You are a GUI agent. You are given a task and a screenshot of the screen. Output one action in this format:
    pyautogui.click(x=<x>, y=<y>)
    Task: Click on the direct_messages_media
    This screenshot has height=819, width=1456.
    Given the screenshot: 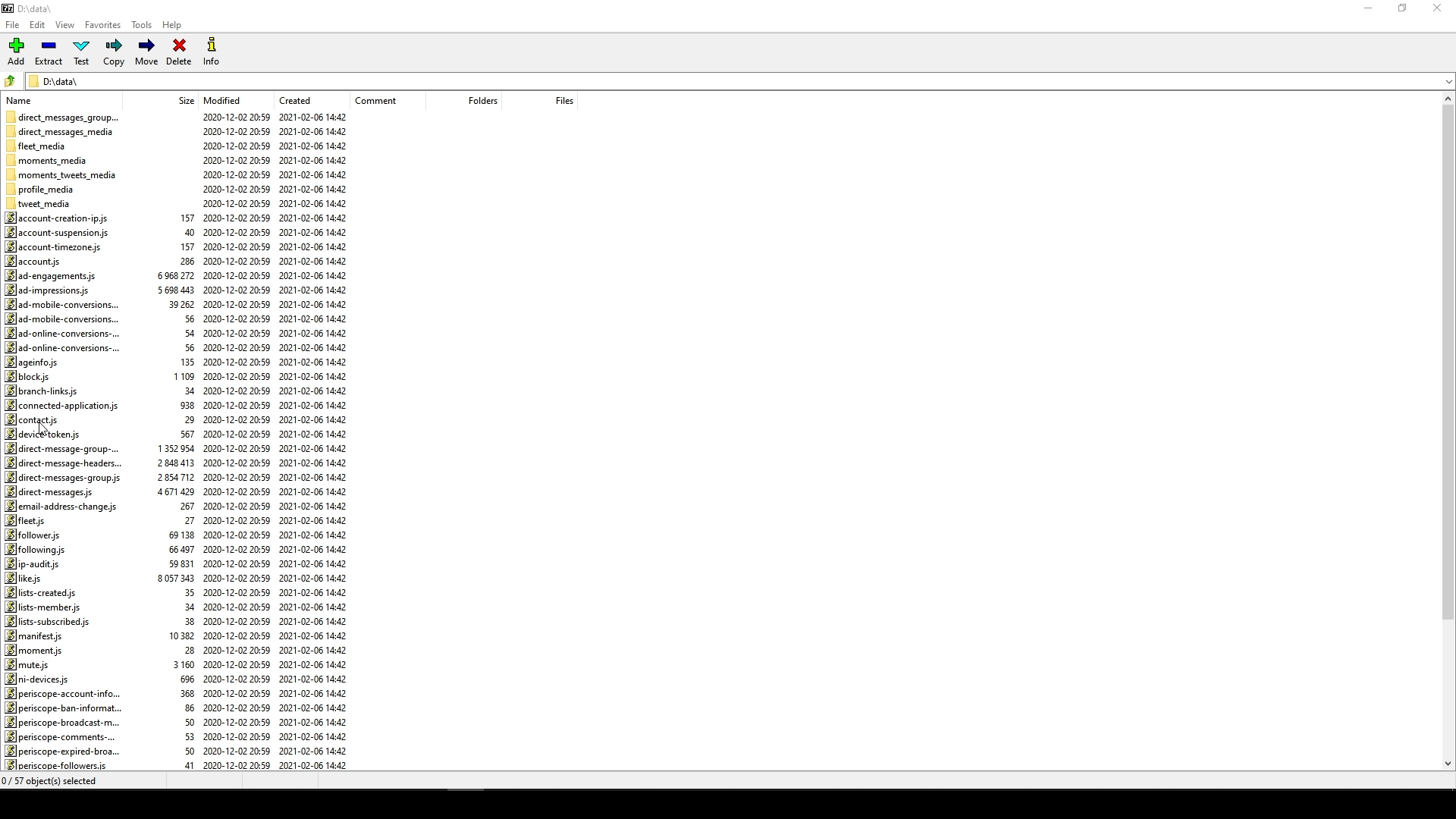 What is the action you would take?
    pyautogui.click(x=65, y=131)
    